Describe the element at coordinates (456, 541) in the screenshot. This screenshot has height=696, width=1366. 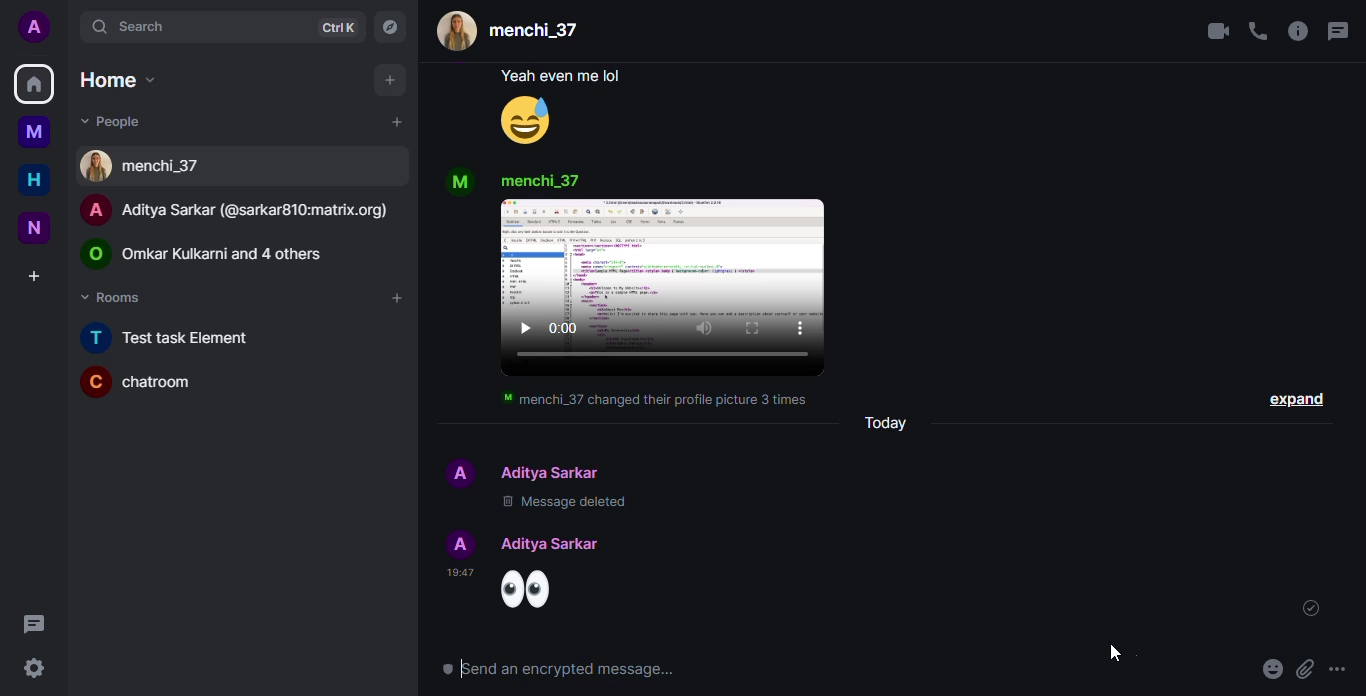
I see `profile` at that location.